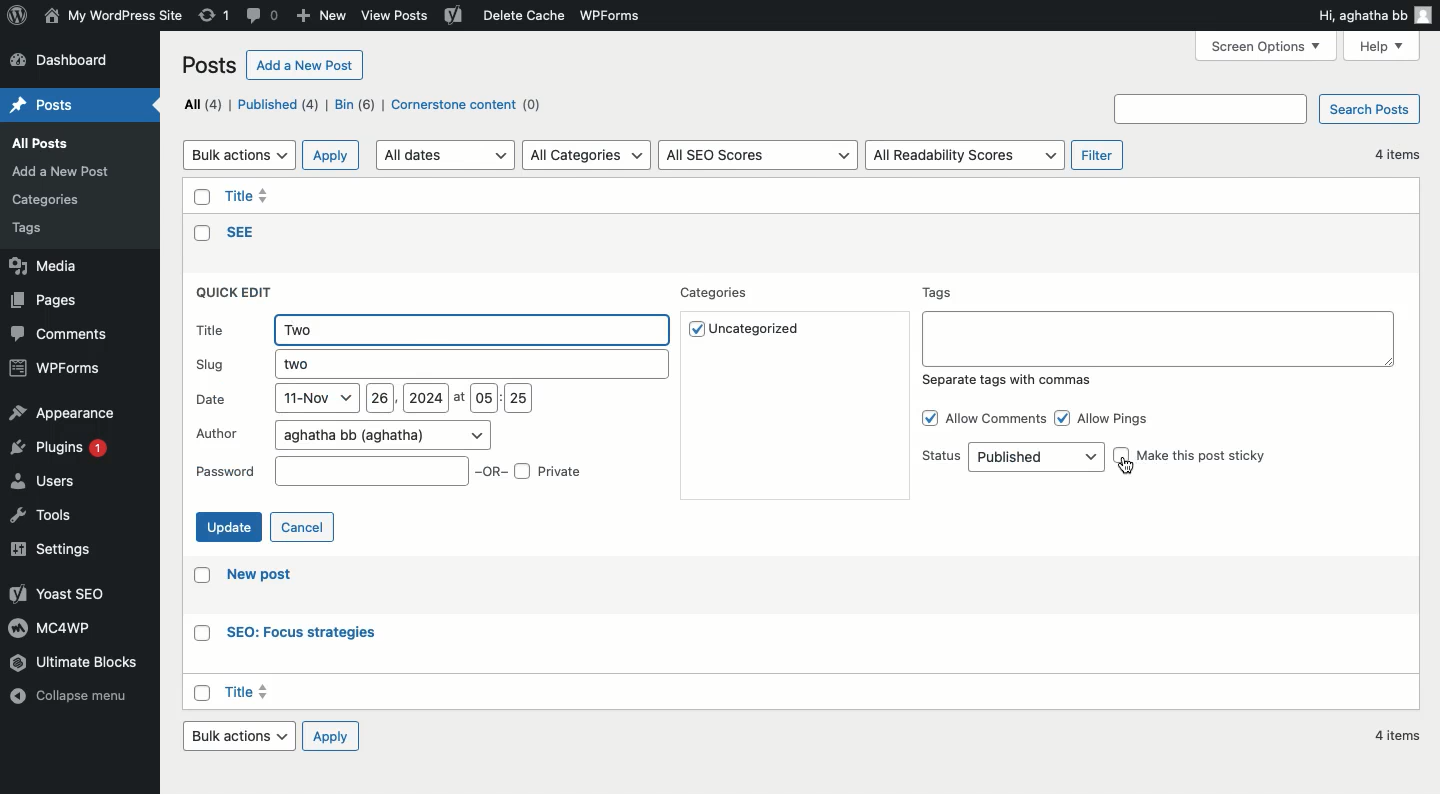 This screenshot has width=1440, height=794. What do you see at coordinates (56, 145) in the screenshot?
I see `All posts` at bounding box center [56, 145].